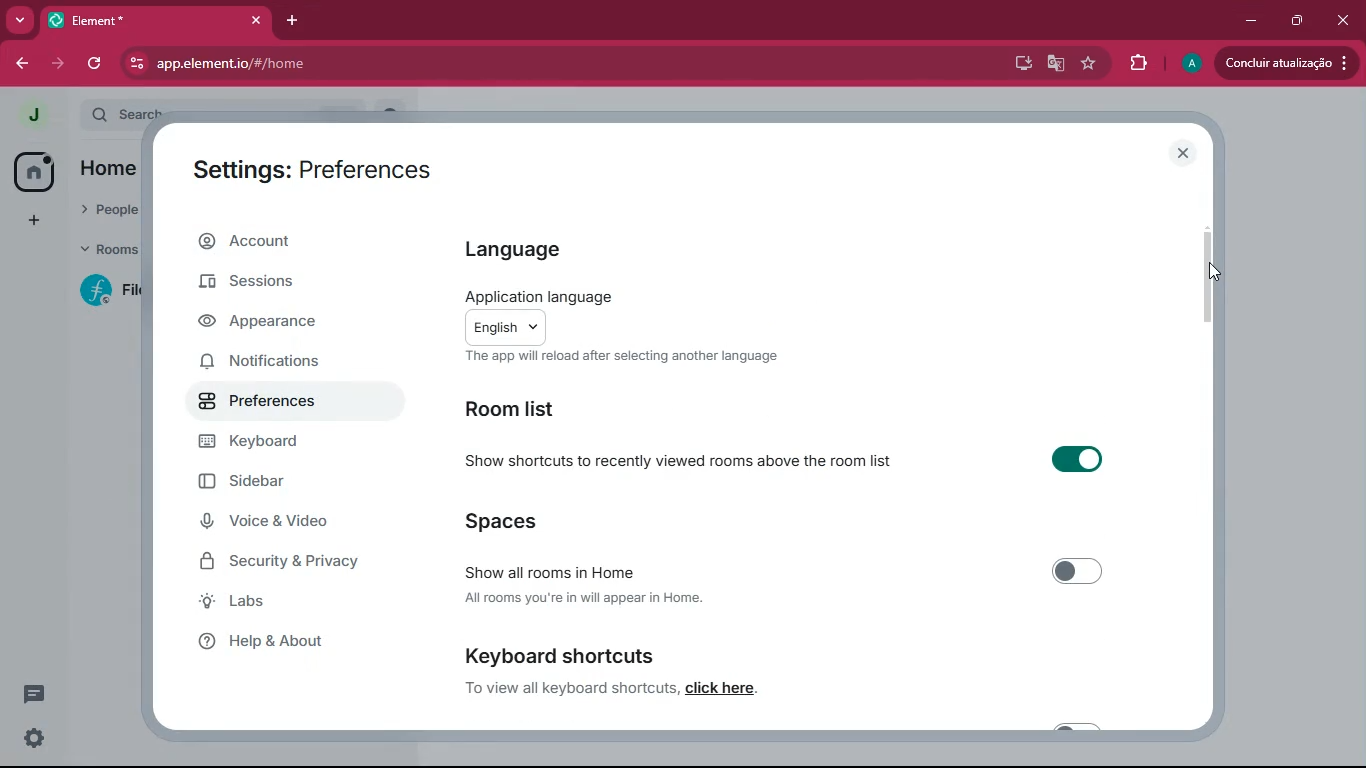 This screenshot has height=768, width=1366. What do you see at coordinates (569, 687) in the screenshot?
I see `to view all keyboard shortcuts` at bounding box center [569, 687].